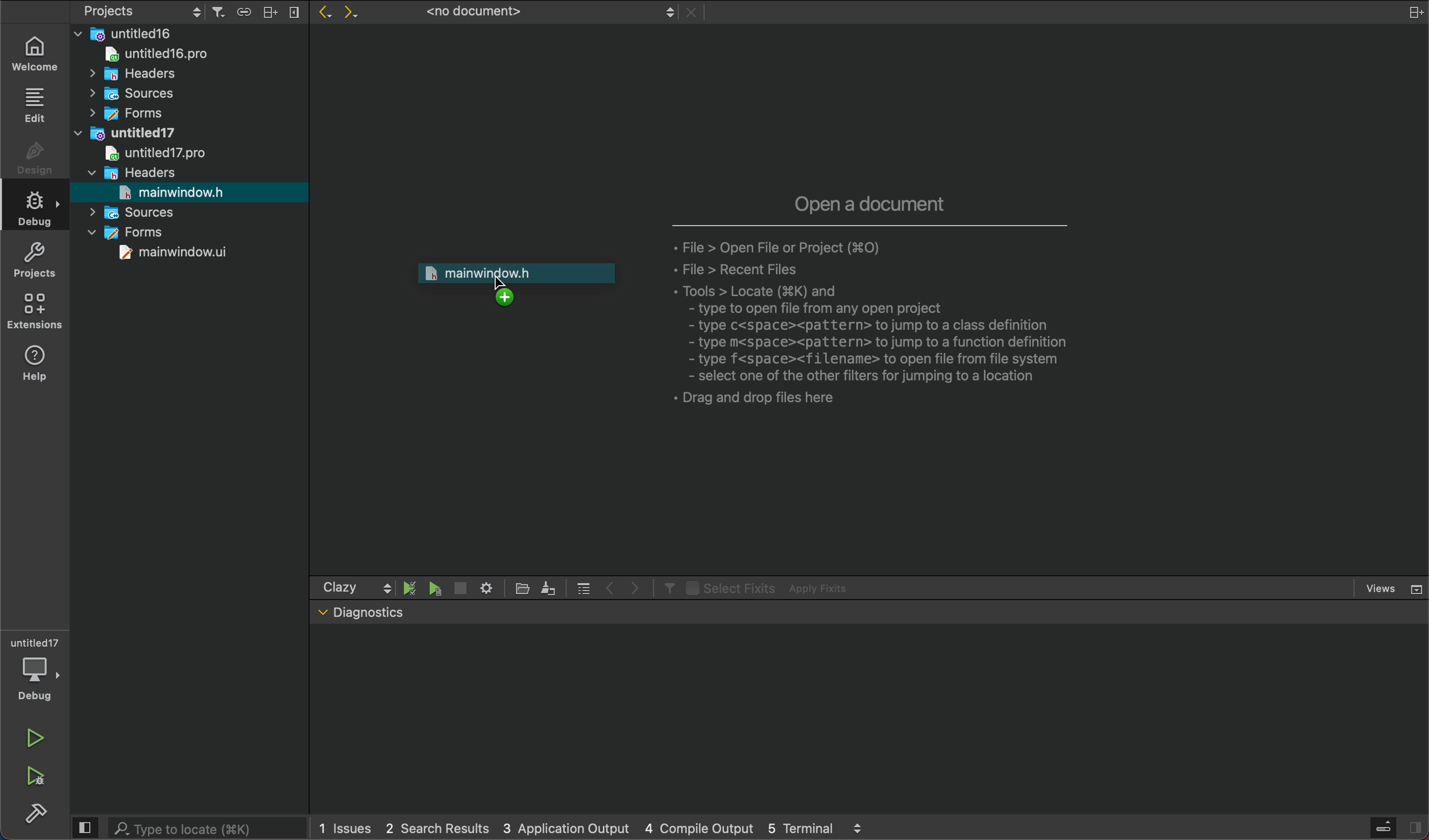  What do you see at coordinates (132, 172) in the screenshot?
I see `Headers` at bounding box center [132, 172].